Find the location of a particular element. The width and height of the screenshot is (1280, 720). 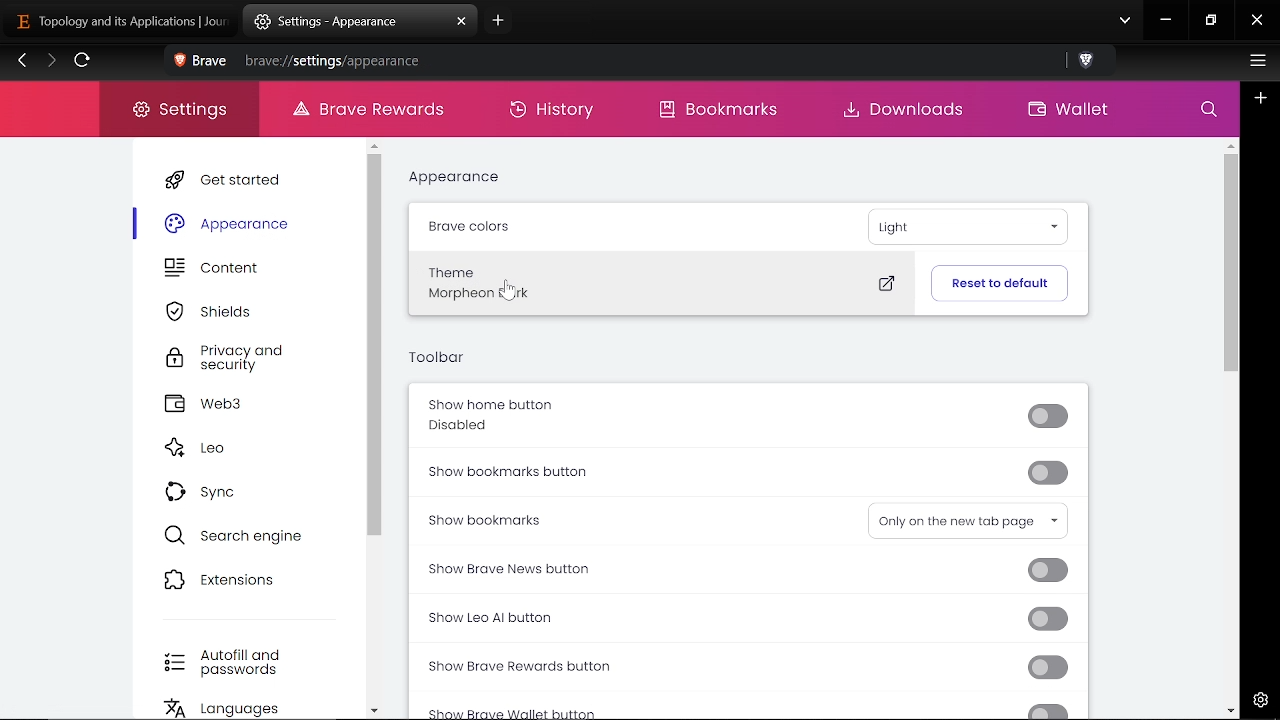

Autofill and passwords is located at coordinates (230, 663).